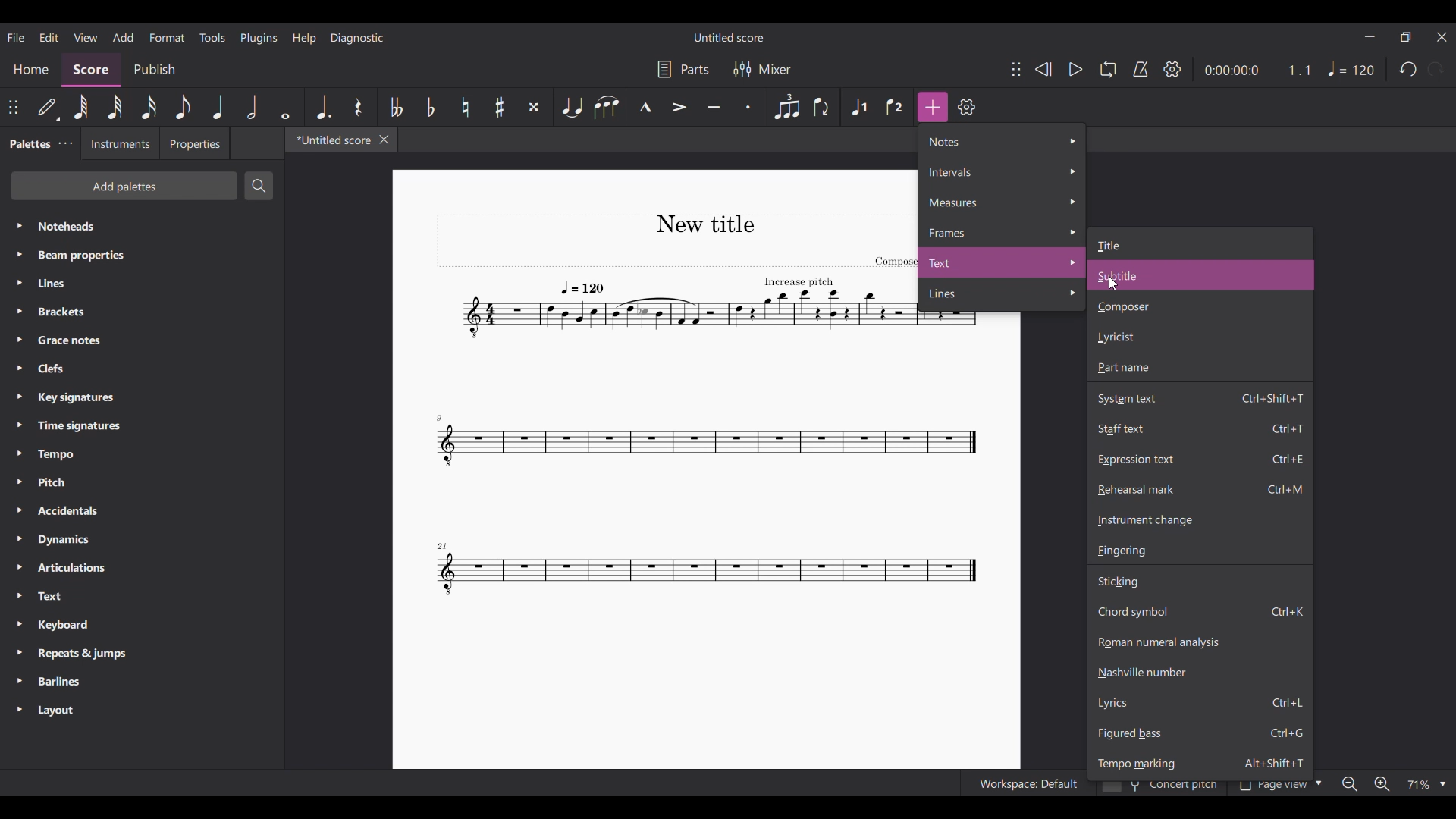 Image resolution: width=1456 pixels, height=819 pixels. What do you see at coordinates (141, 540) in the screenshot?
I see `Dynamics` at bounding box center [141, 540].